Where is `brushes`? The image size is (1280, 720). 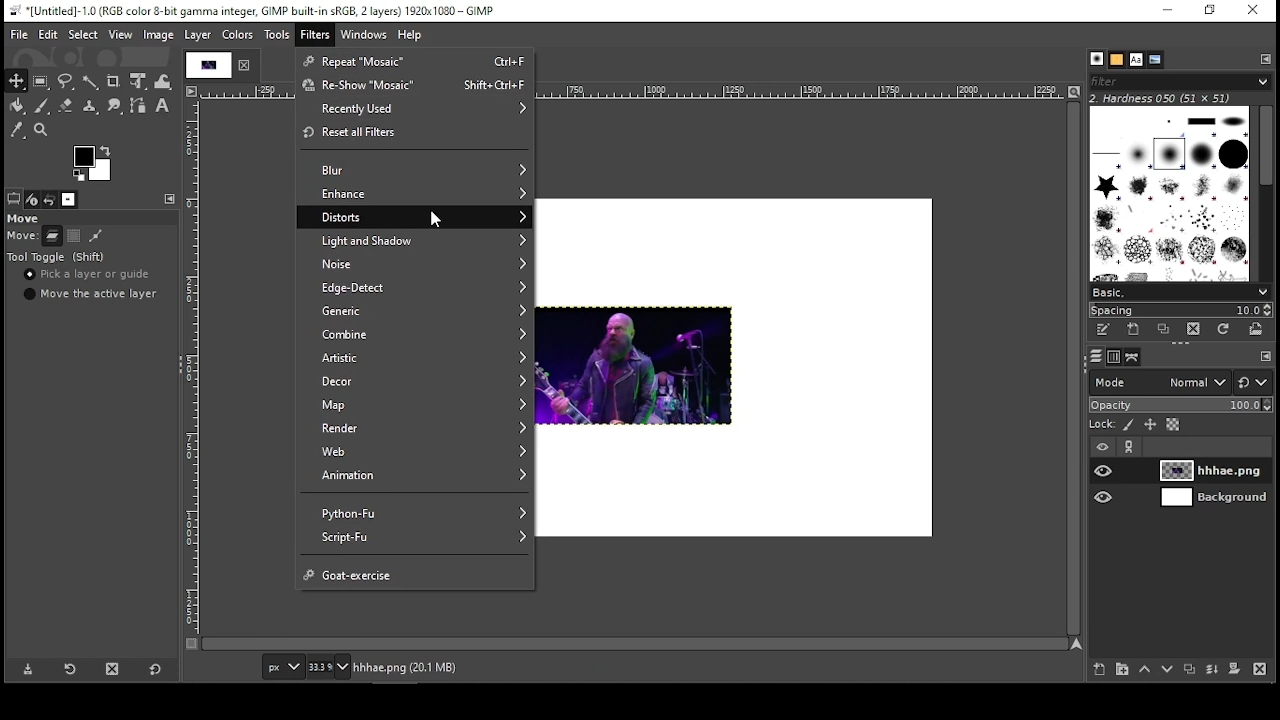 brushes is located at coordinates (1097, 59).